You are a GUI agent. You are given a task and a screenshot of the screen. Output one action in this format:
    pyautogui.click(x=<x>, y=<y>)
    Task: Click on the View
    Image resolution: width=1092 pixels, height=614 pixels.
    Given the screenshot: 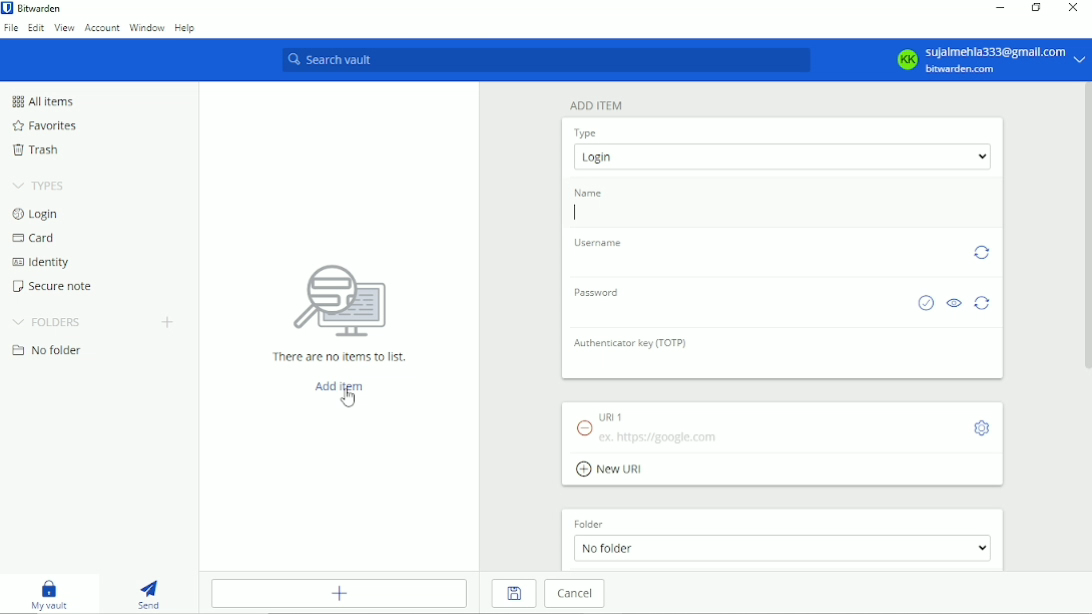 What is the action you would take?
    pyautogui.click(x=65, y=29)
    